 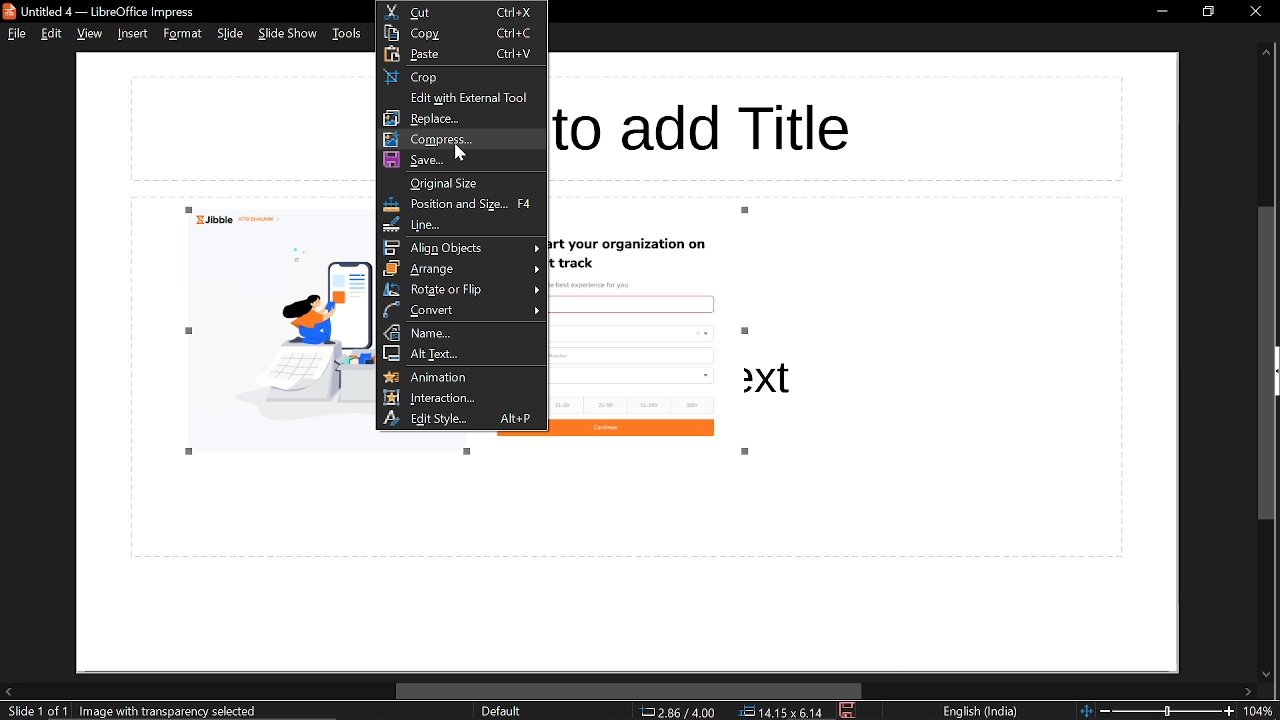 I want to click on Alt text, so click(x=462, y=354).